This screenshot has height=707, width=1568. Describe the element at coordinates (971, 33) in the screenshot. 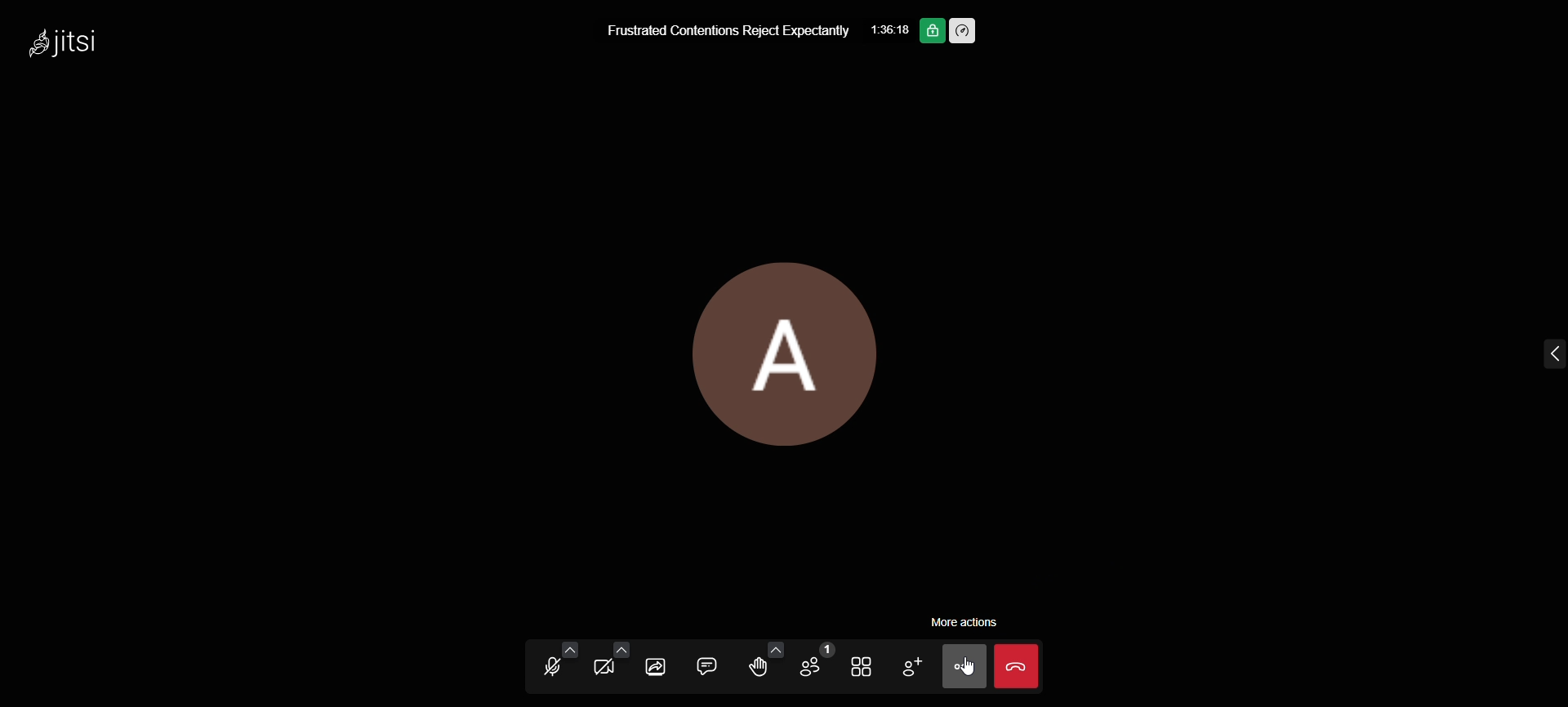

I see `performance setting` at that location.